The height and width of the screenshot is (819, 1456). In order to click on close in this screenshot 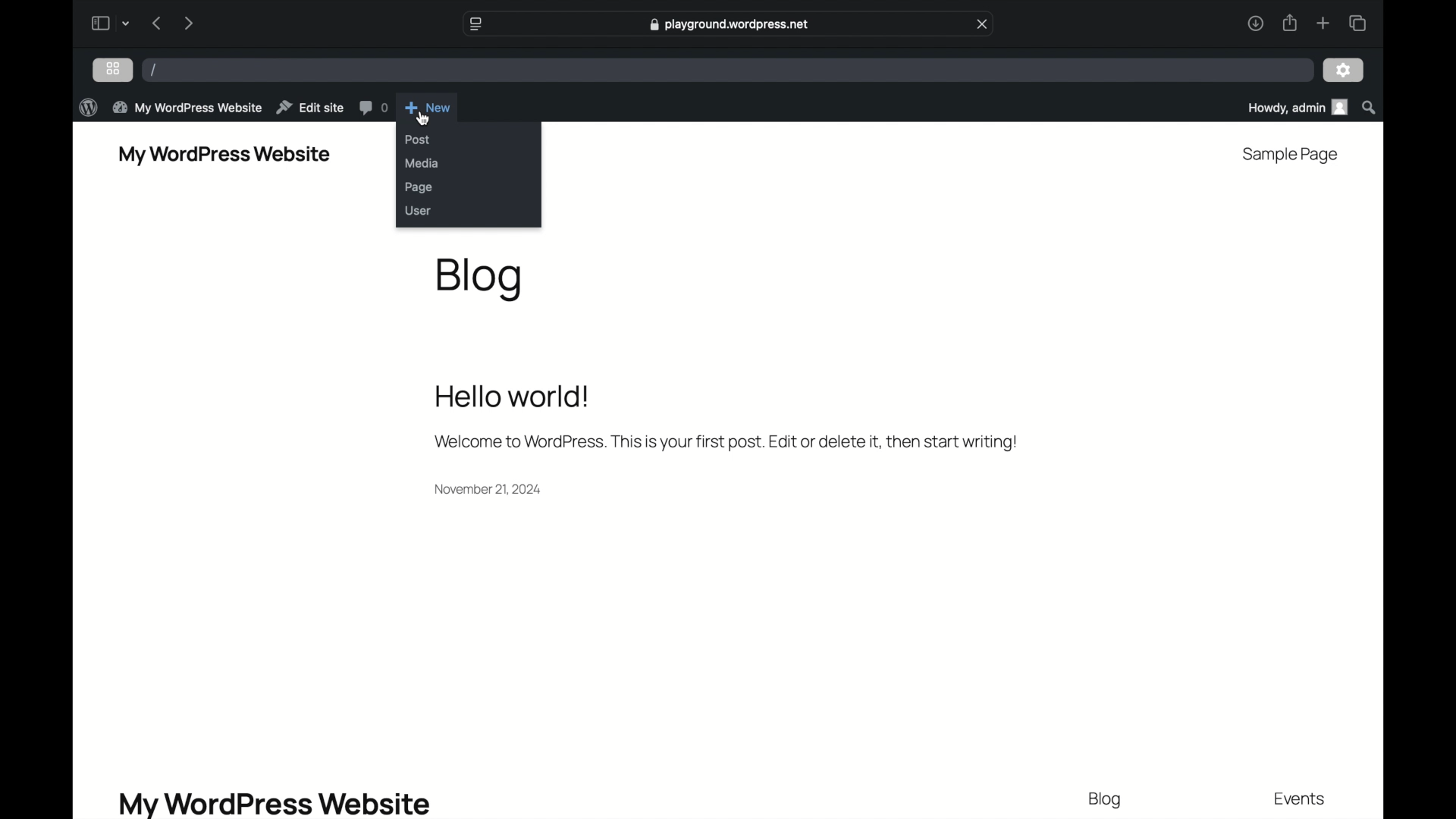, I will do `click(982, 24)`.